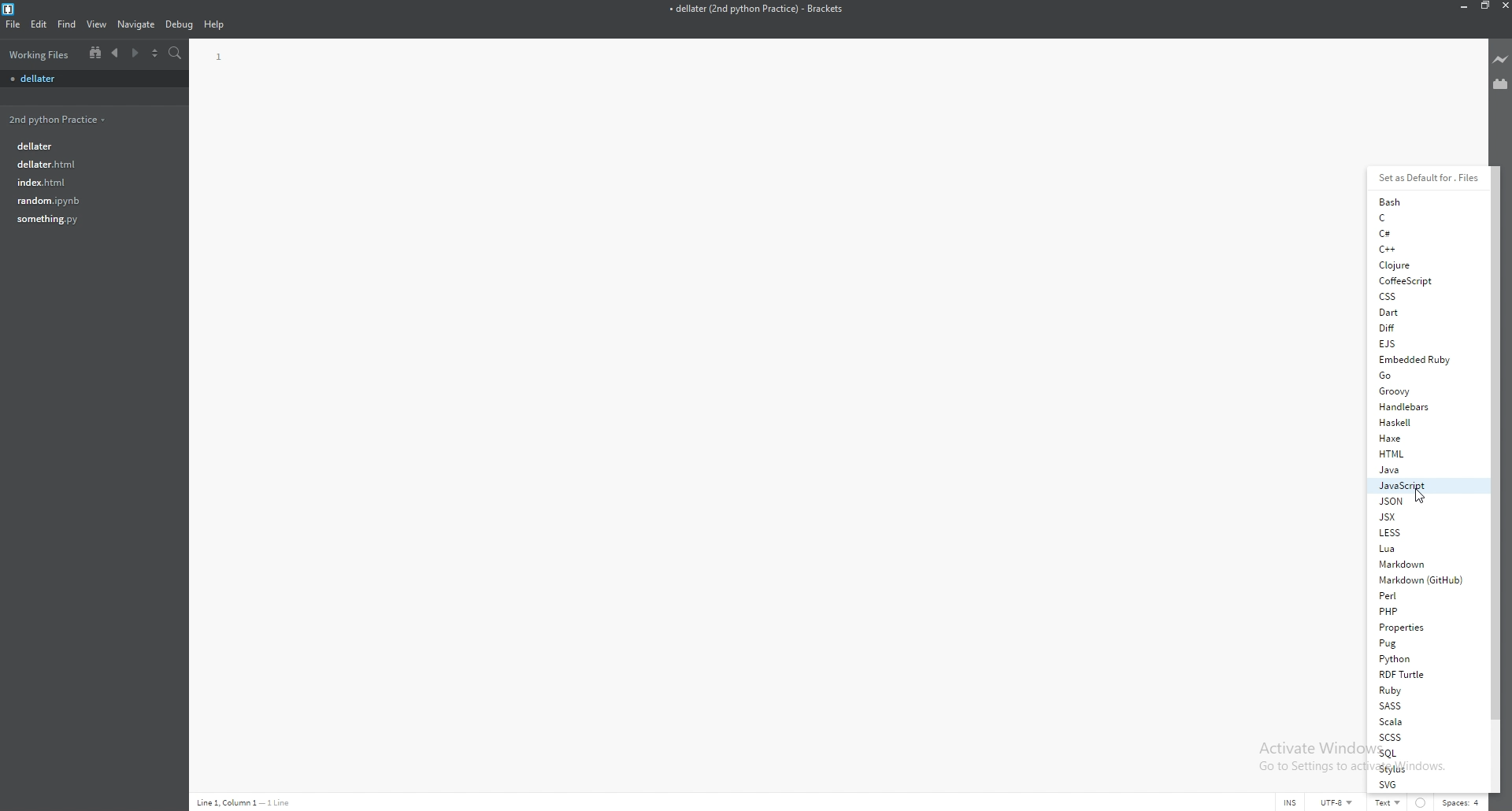  What do you see at coordinates (1419, 785) in the screenshot?
I see `svg` at bounding box center [1419, 785].